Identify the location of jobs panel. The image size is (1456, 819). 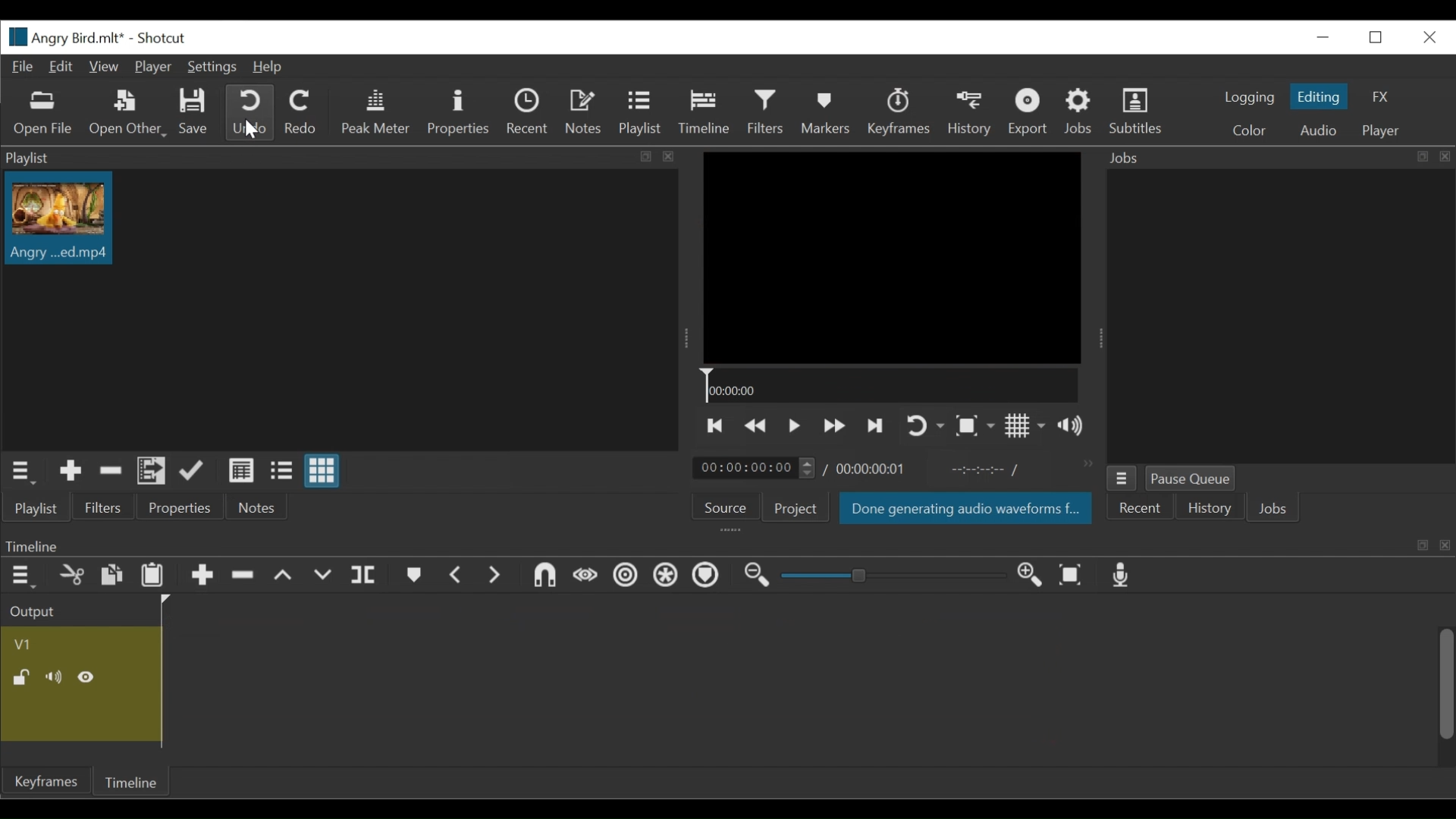
(1282, 318).